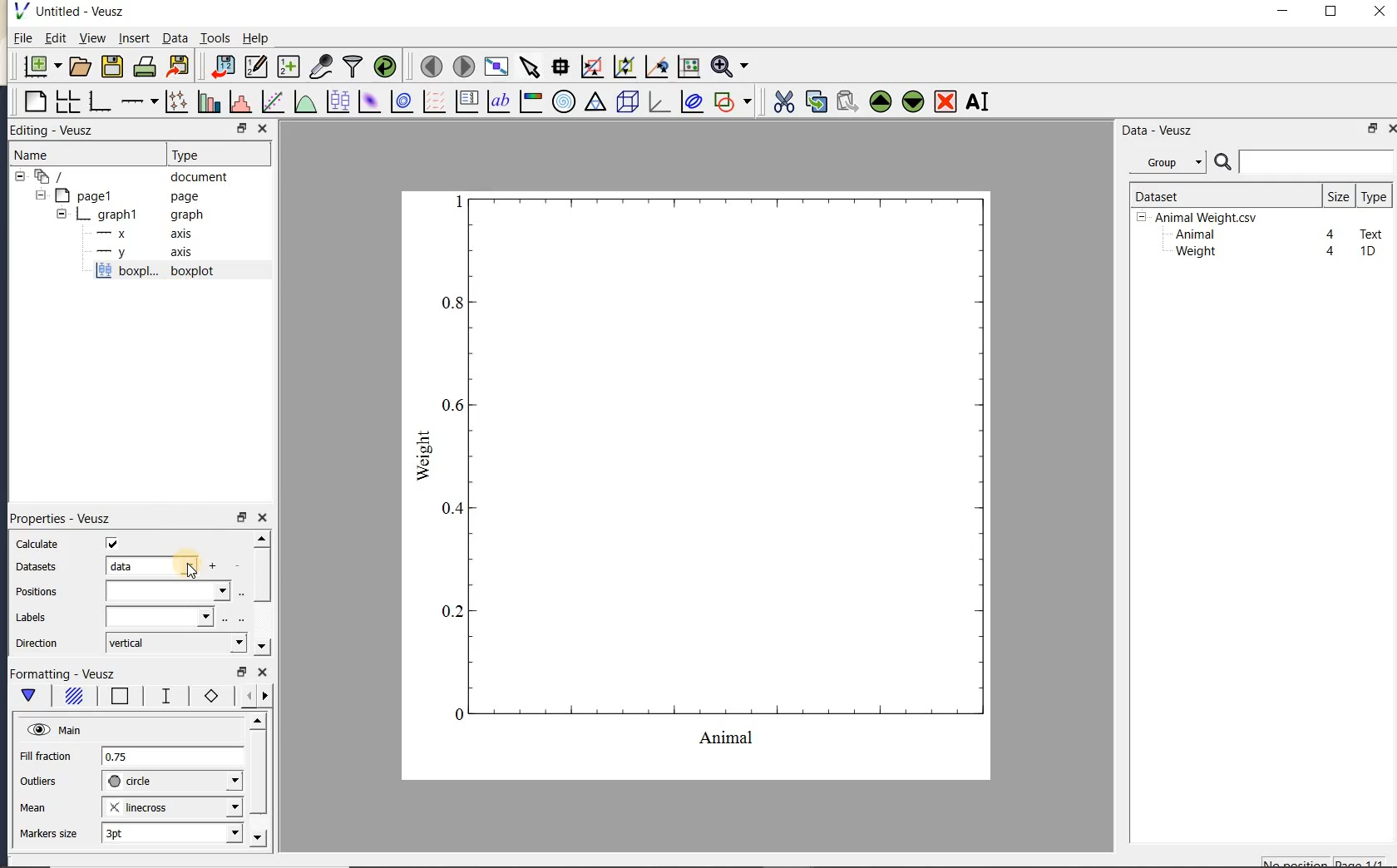 The image size is (1397, 868). What do you see at coordinates (167, 591) in the screenshot?
I see `input field` at bounding box center [167, 591].